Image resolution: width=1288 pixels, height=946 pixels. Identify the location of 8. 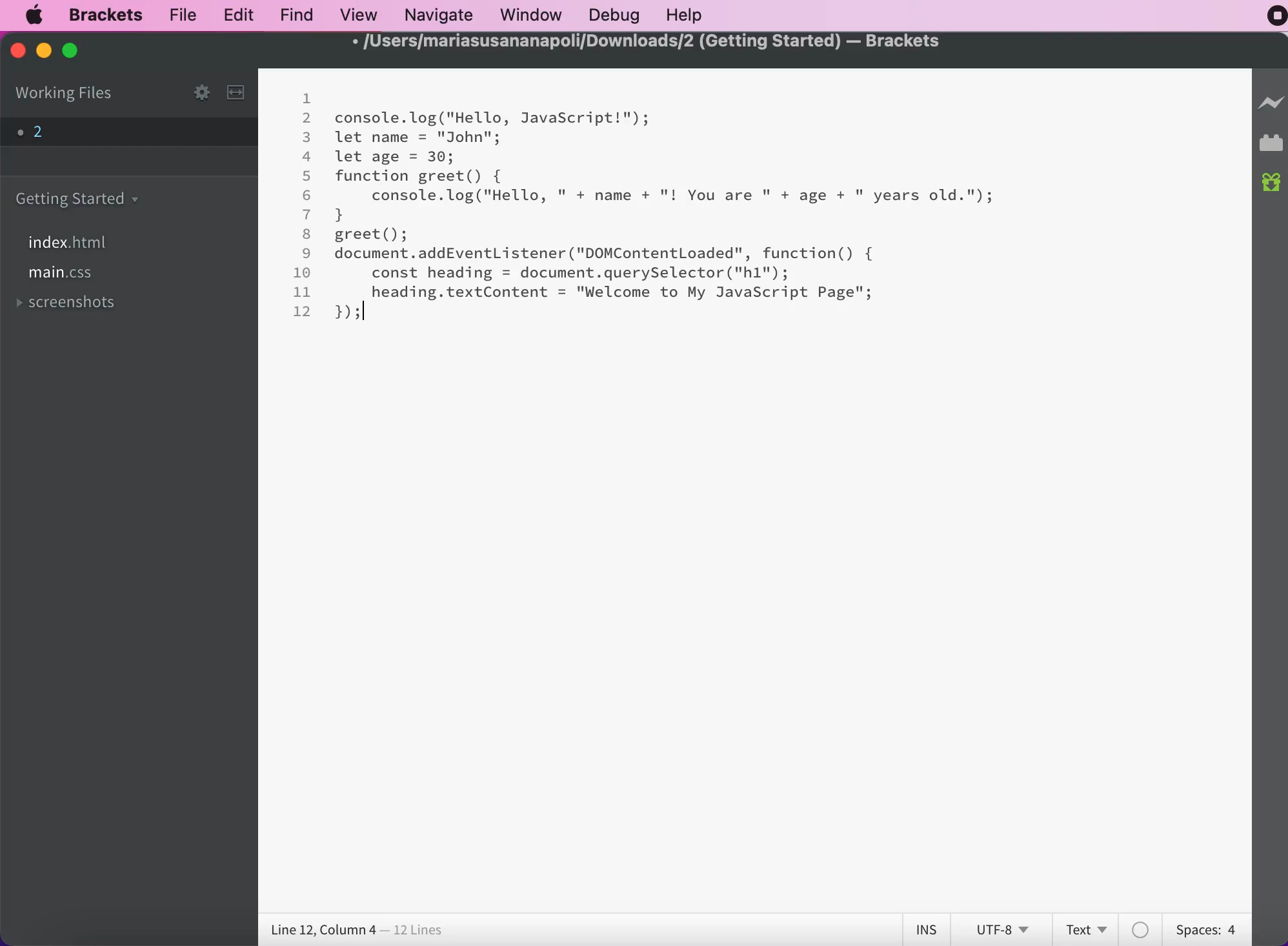
(306, 233).